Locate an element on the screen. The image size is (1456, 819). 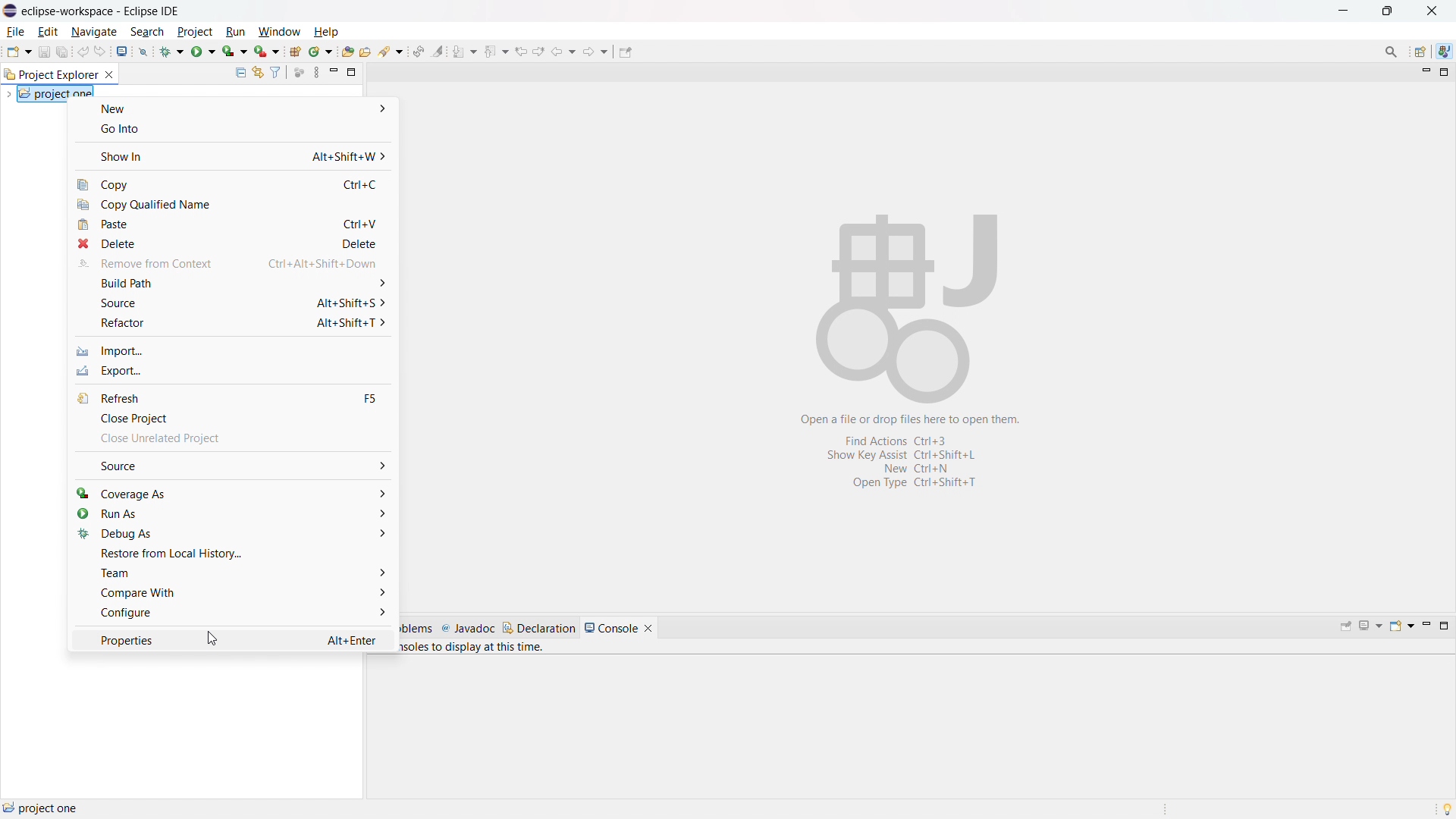
source is located at coordinates (233, 466).